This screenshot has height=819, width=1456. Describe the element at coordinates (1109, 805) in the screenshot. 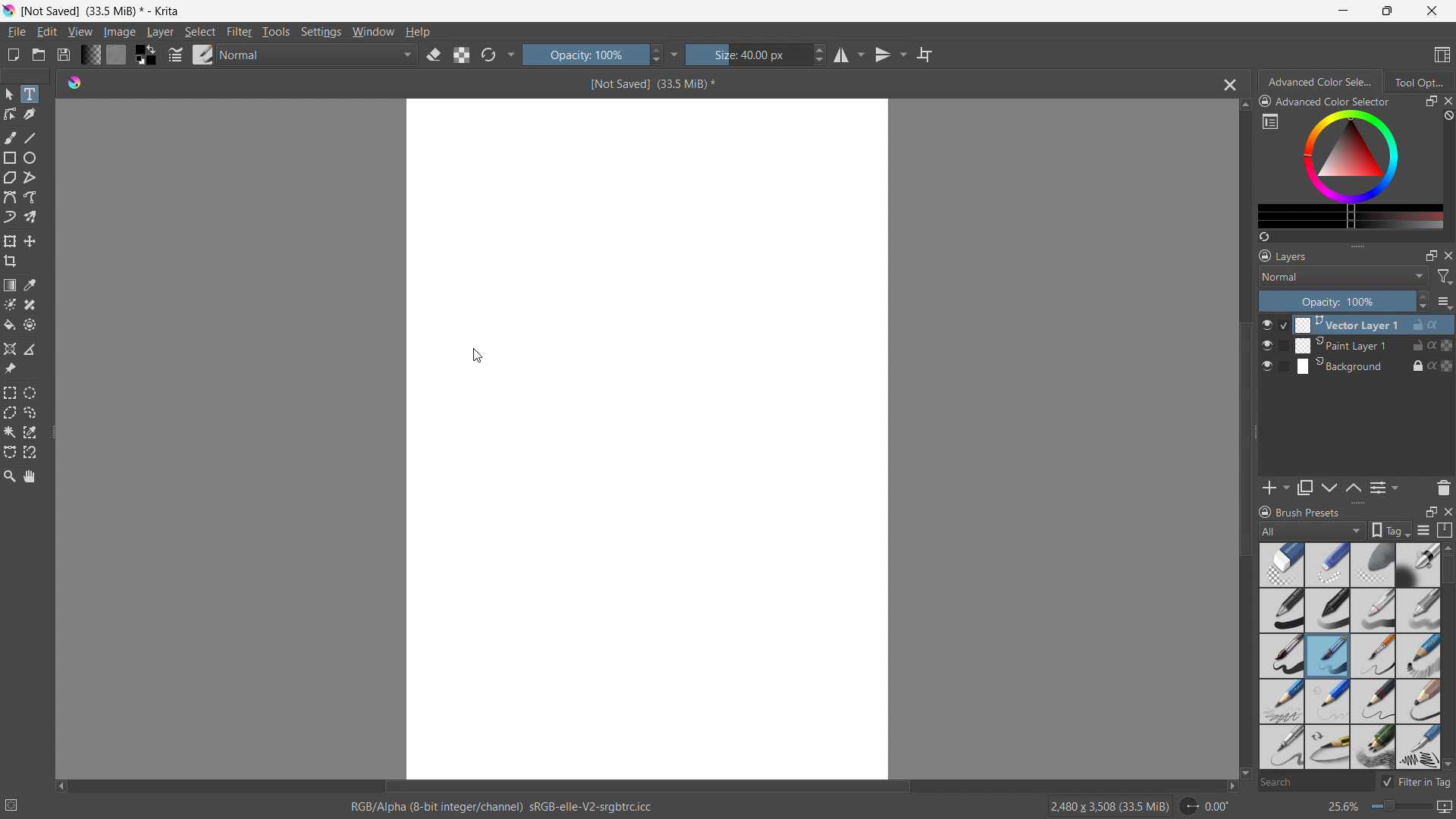

I see `2480 X 3508 (33.5 MiB)` at that location.